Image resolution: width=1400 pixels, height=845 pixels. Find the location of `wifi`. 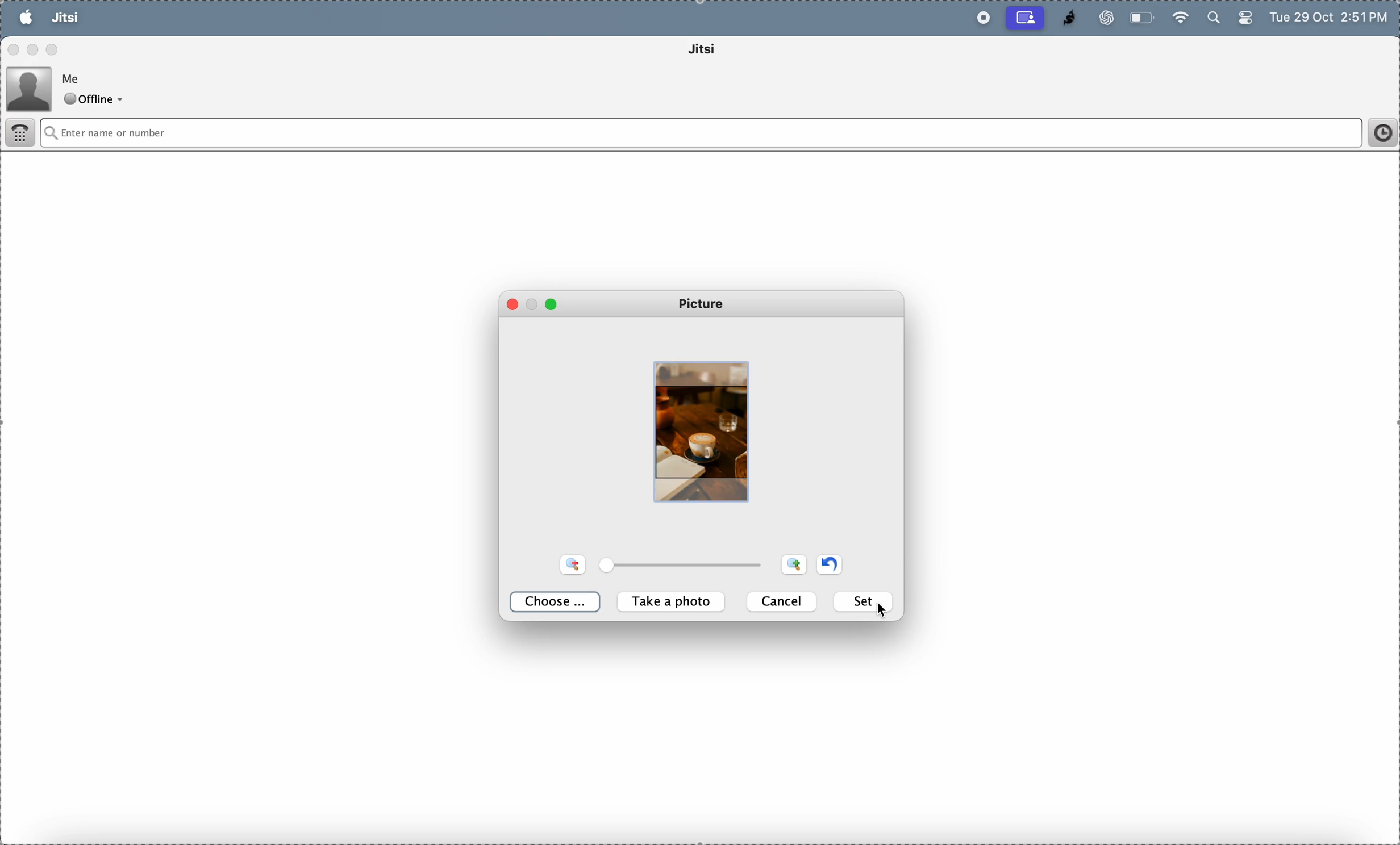

wifi is located at coordinates (1180, 16).